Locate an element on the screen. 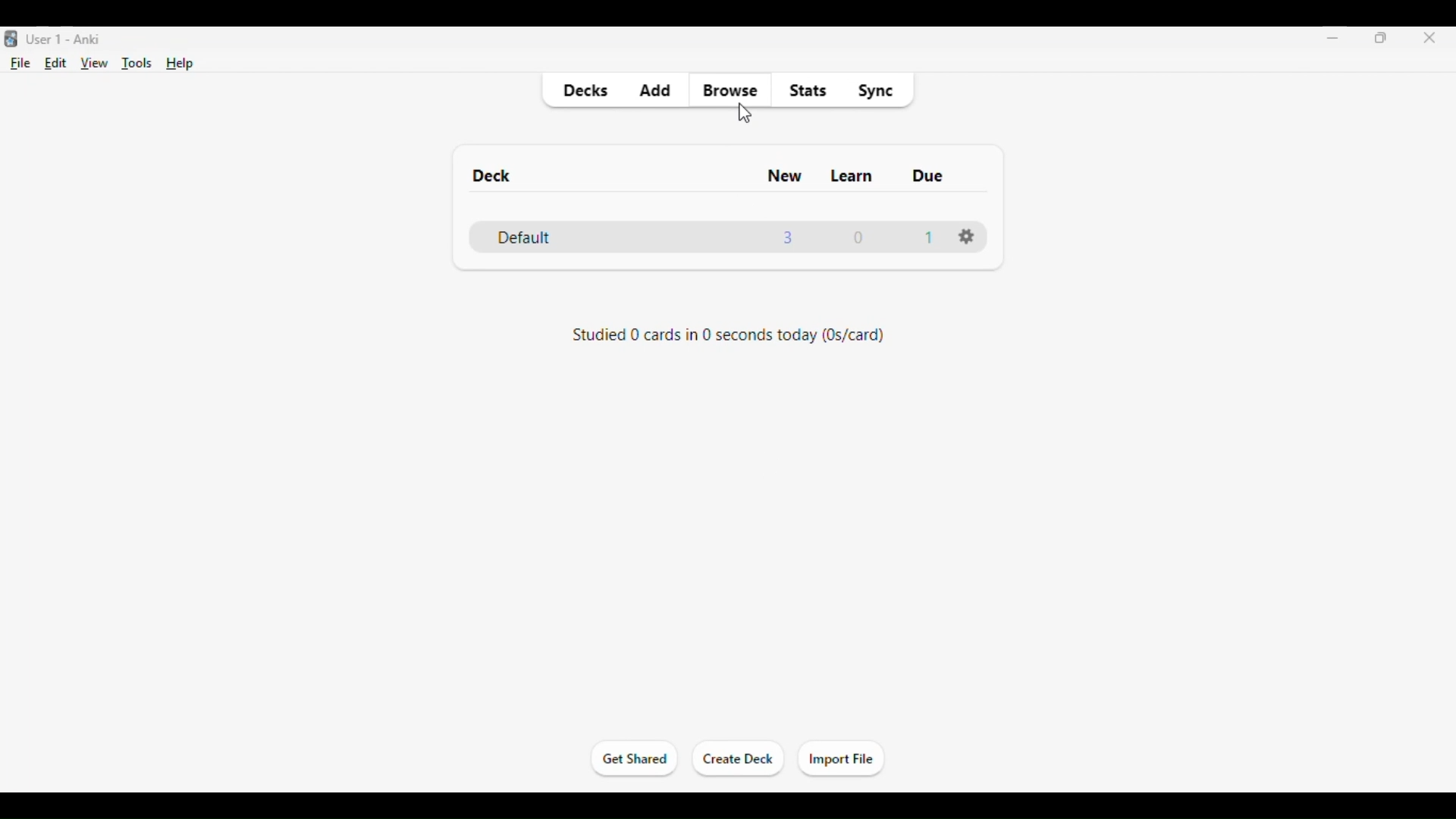  deck is located at coordinates (491, 175).